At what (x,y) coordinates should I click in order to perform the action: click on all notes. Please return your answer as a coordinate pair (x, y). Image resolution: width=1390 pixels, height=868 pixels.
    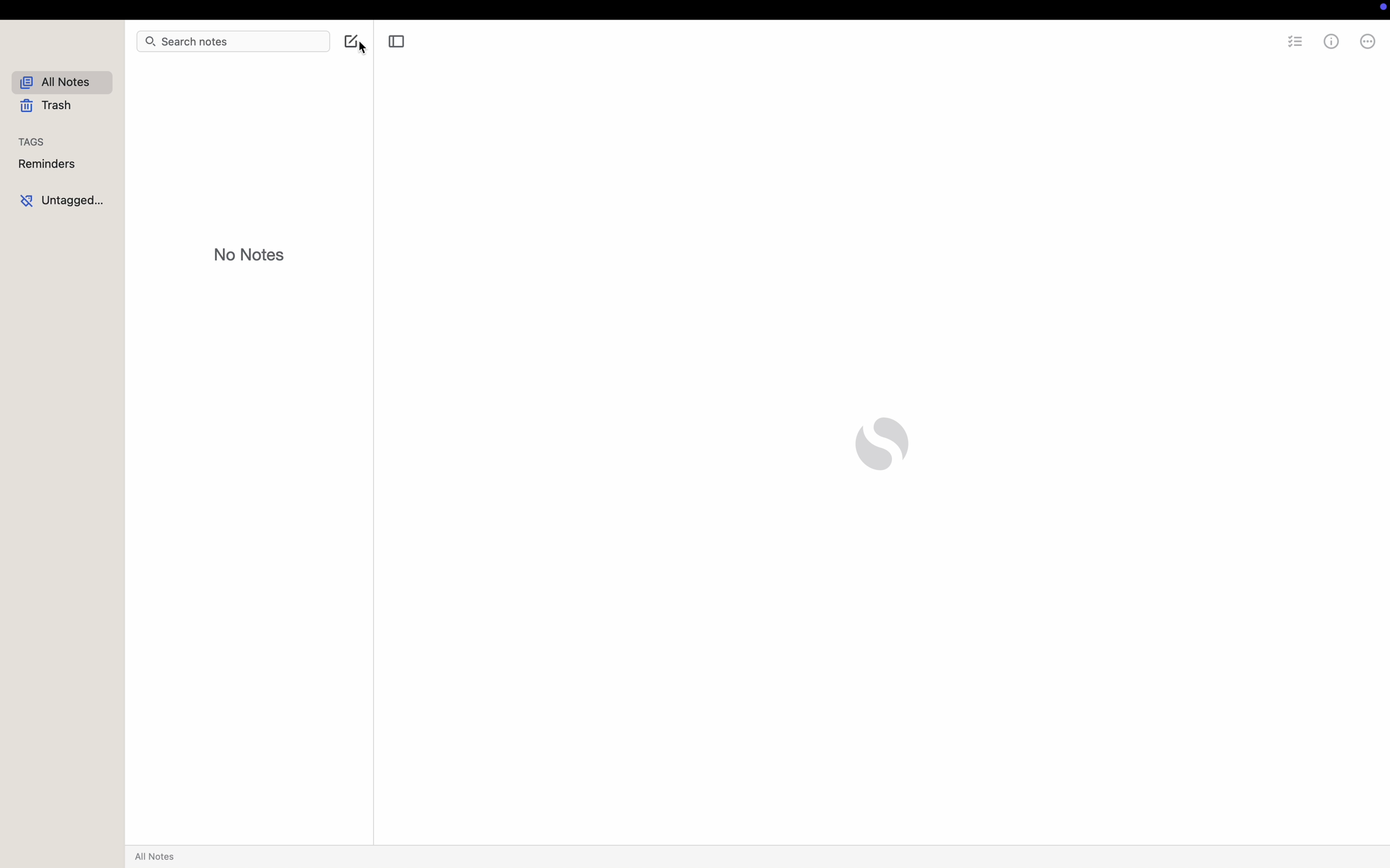
    Looking at the image, I should click on (61, 80).